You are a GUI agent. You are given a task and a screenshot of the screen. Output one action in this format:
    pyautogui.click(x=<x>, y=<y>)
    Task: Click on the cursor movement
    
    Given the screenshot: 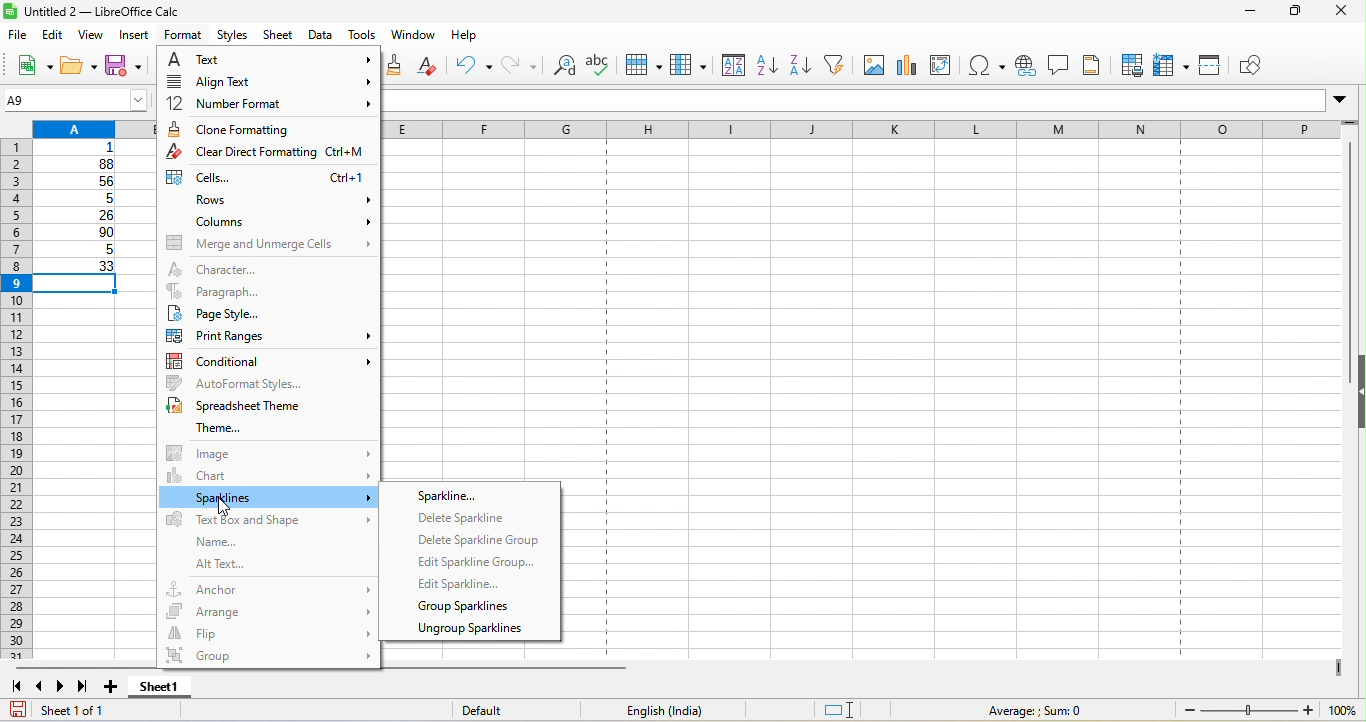 What is the action you would take?
    pyautogui.click(x=223, y=507)
    